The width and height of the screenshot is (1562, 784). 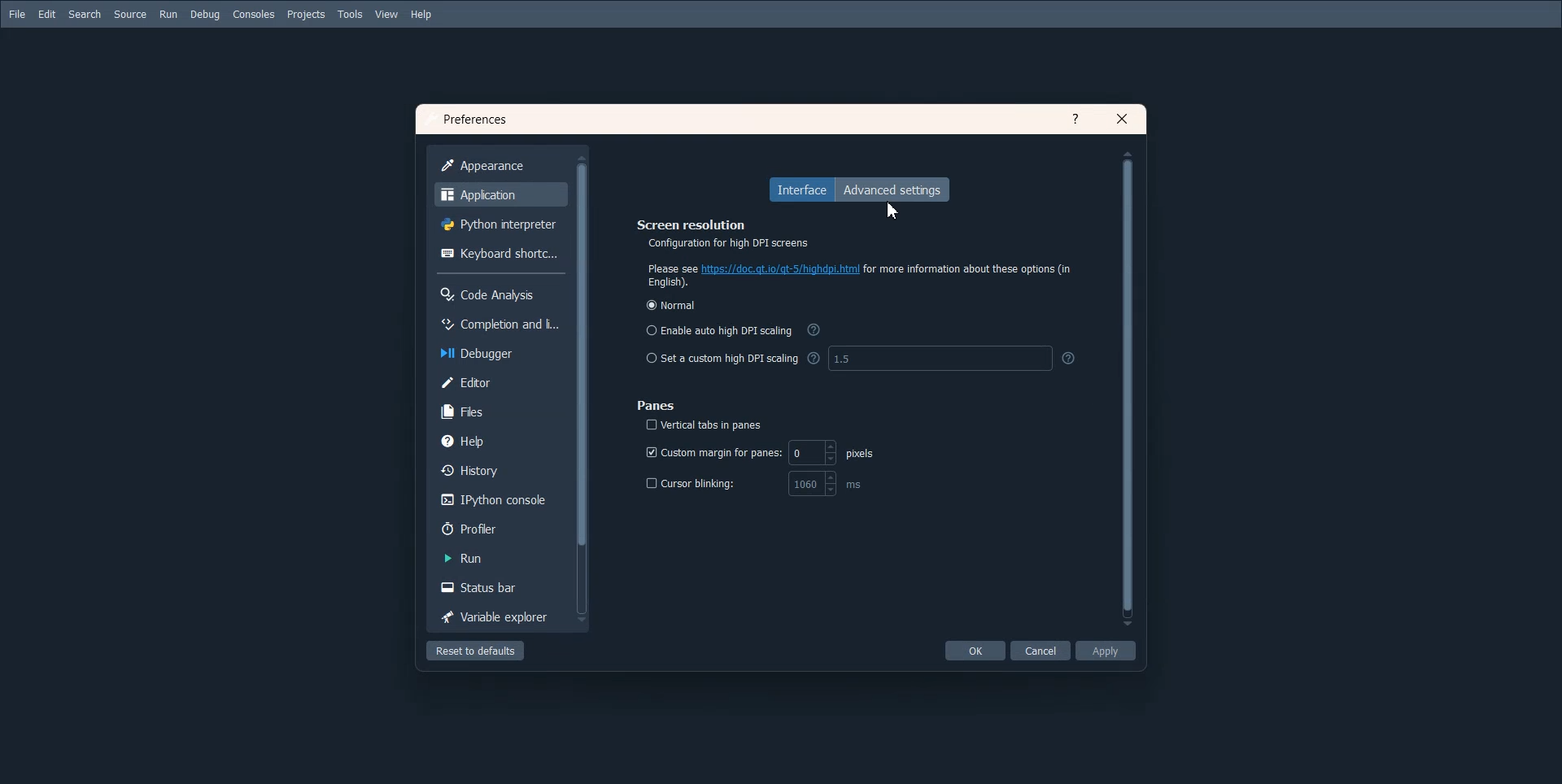 I want to click on Application, so click(x=500, y=194).